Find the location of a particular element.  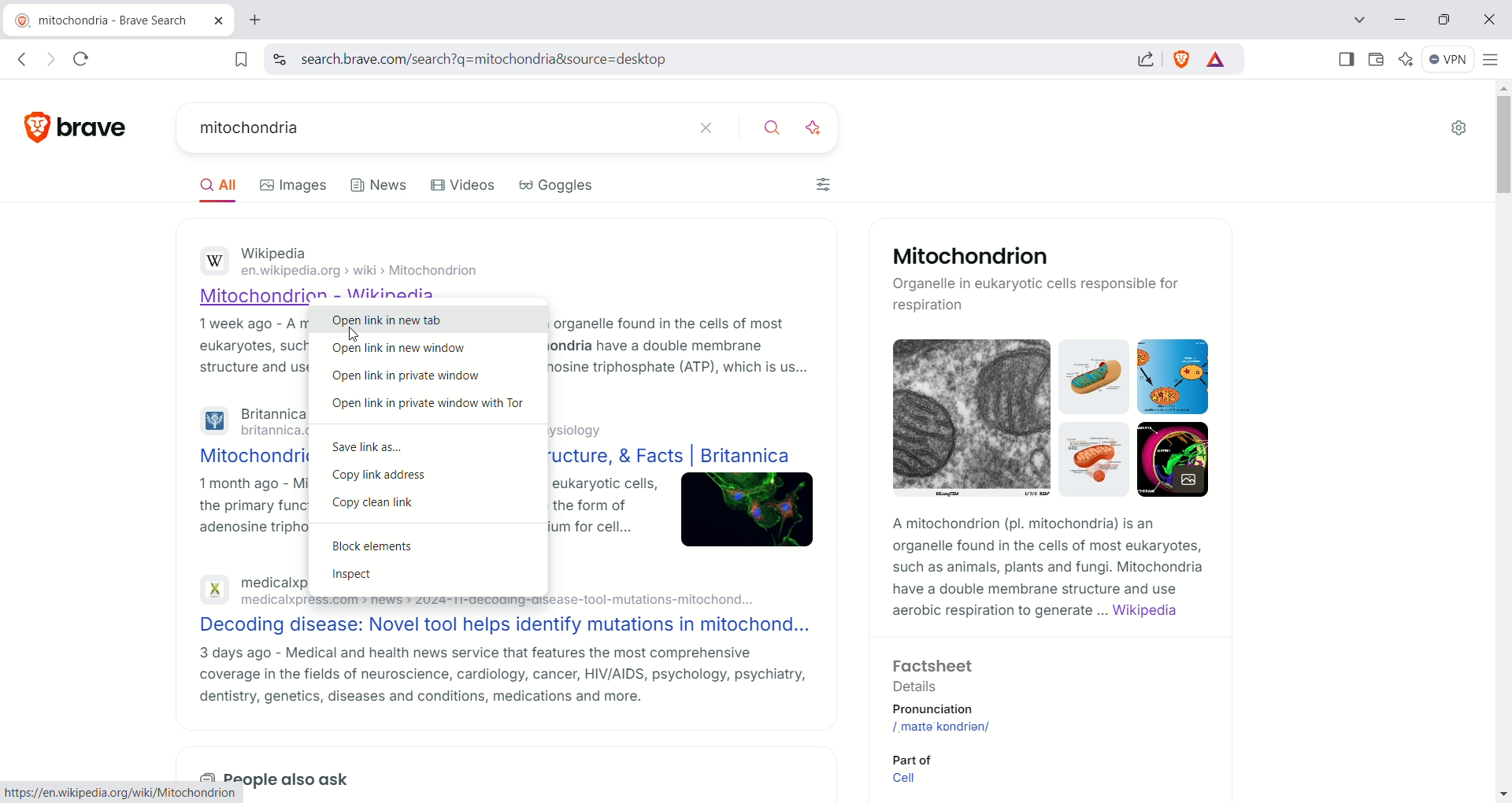

Wikipedia is located at coordinates (282, 253).